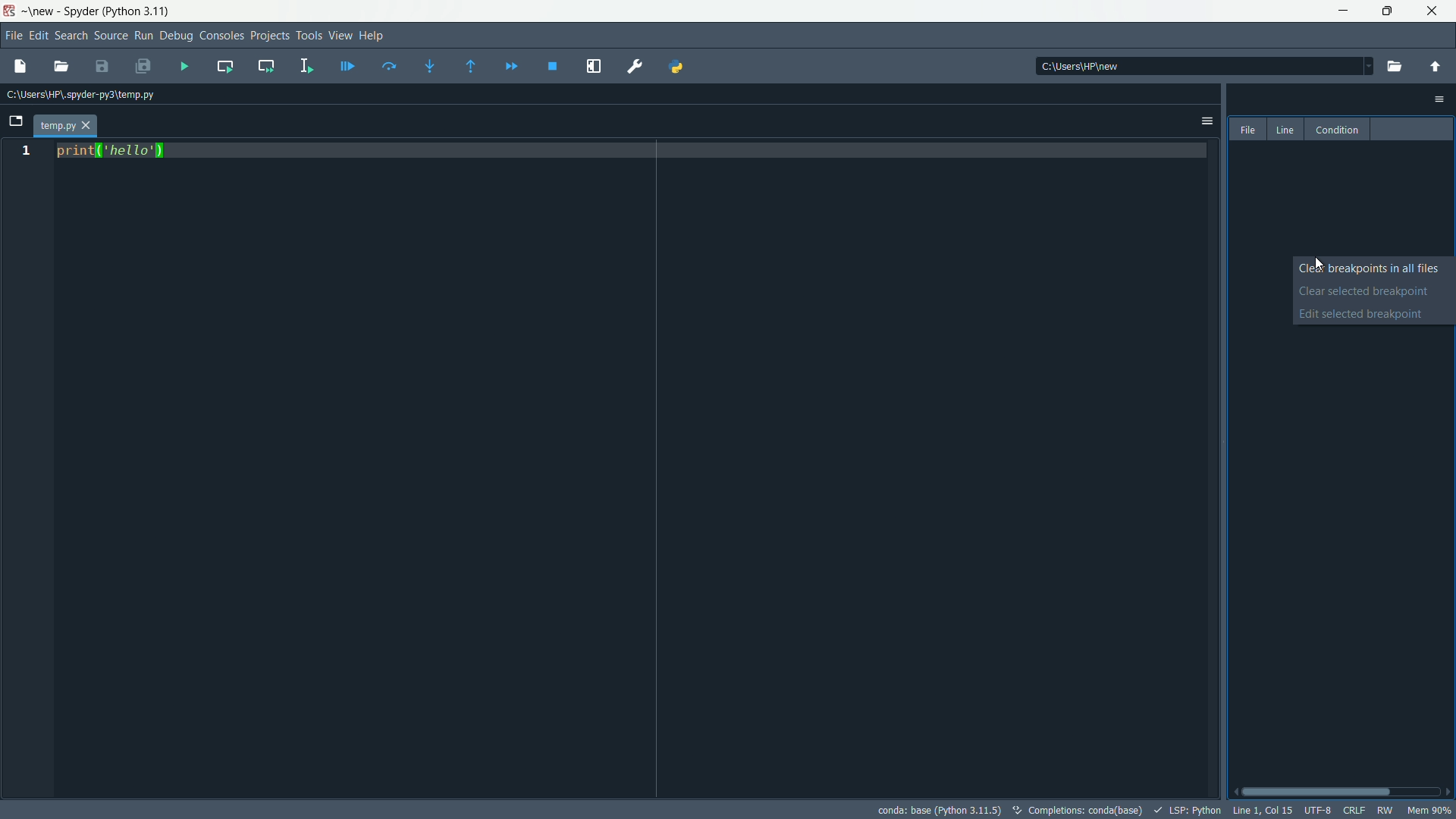  I want to click on debug menu, so click(175, 36).